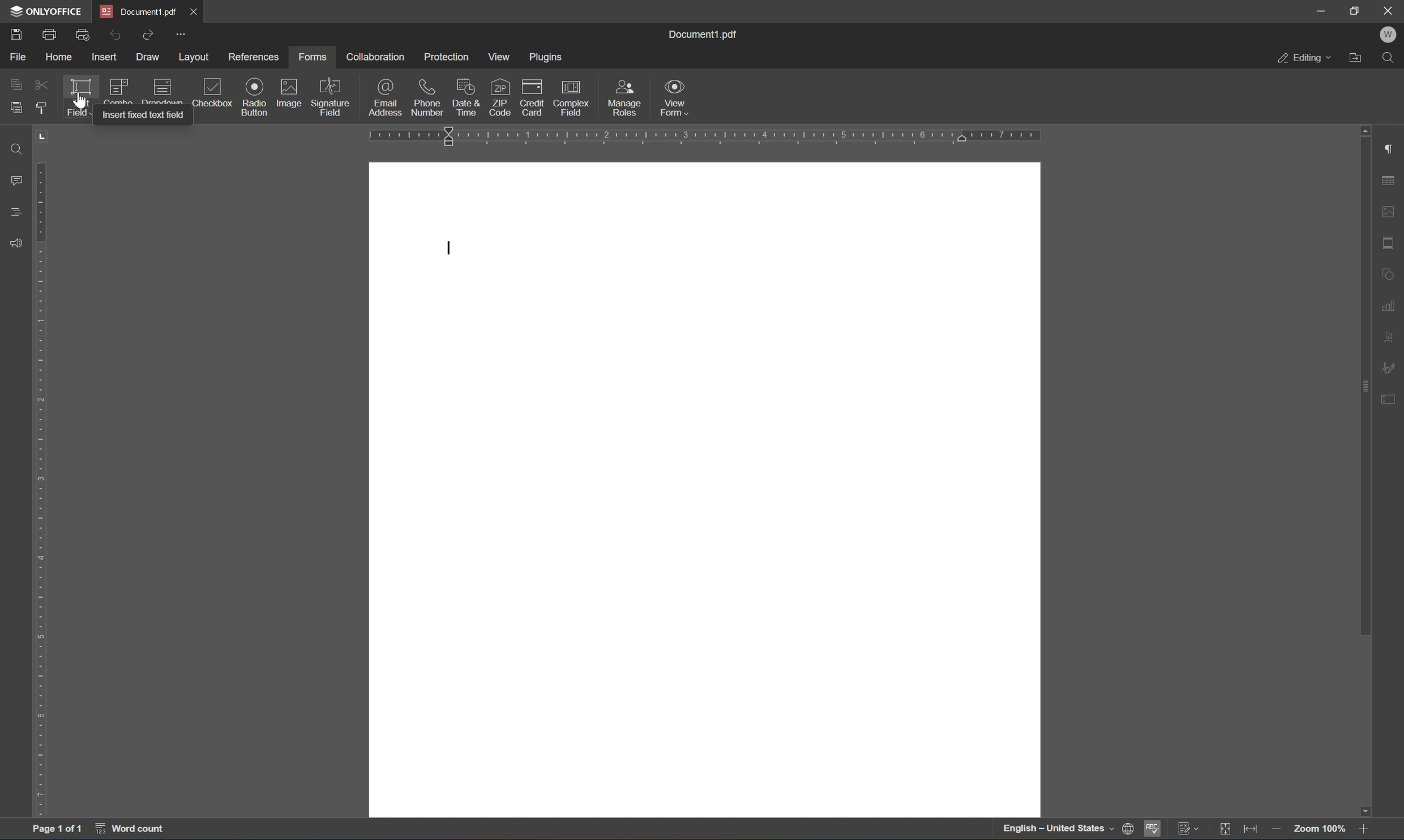  What do you see at coordinates (20, 57) in the screenshot?
I see `file` at bounding box center [20, 57].